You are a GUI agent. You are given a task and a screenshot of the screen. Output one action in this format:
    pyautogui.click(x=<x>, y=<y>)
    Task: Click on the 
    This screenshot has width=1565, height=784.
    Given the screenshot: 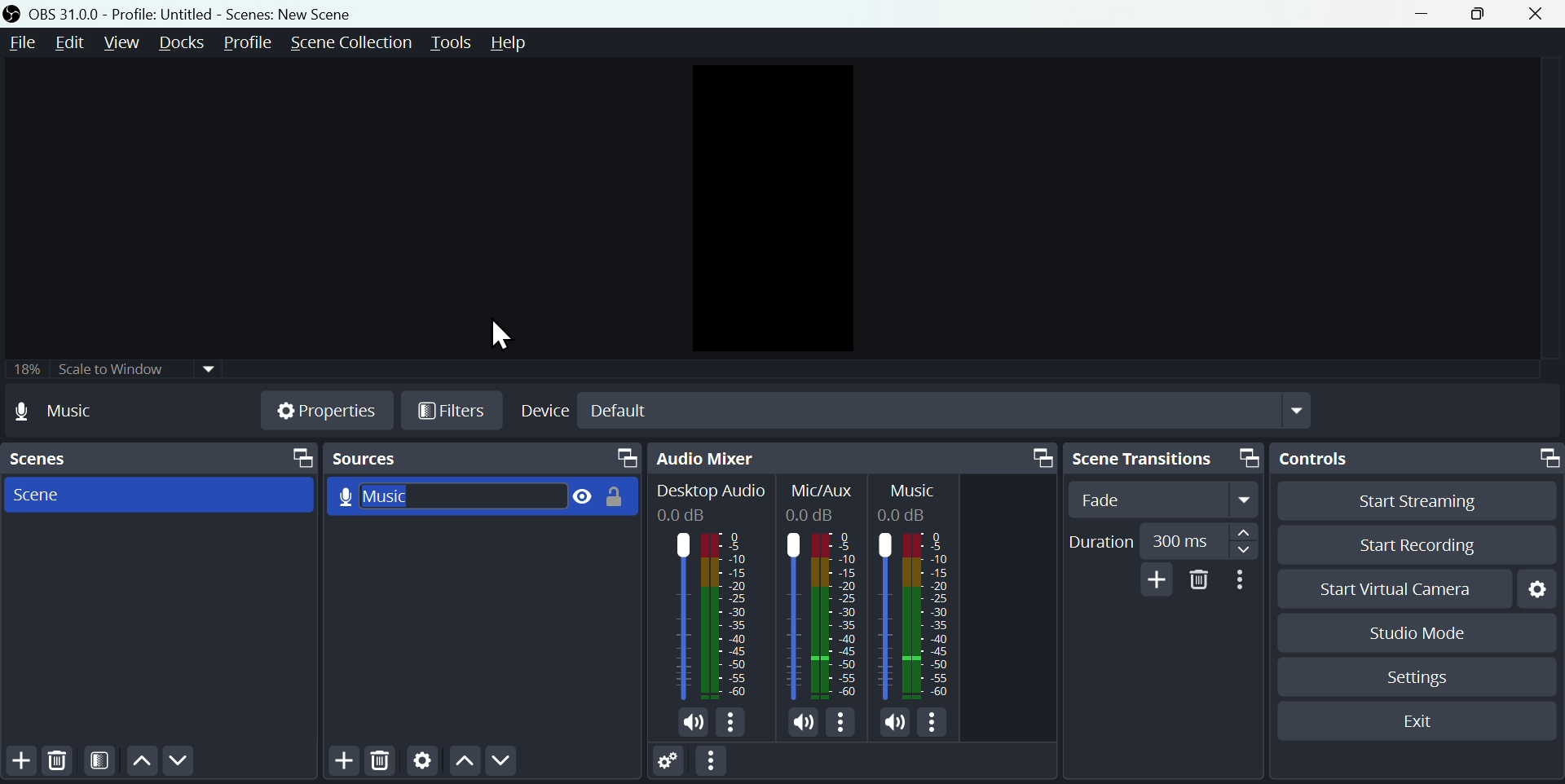 What is the action you would take?
    pyautogui.click(x=911, y=614)
    